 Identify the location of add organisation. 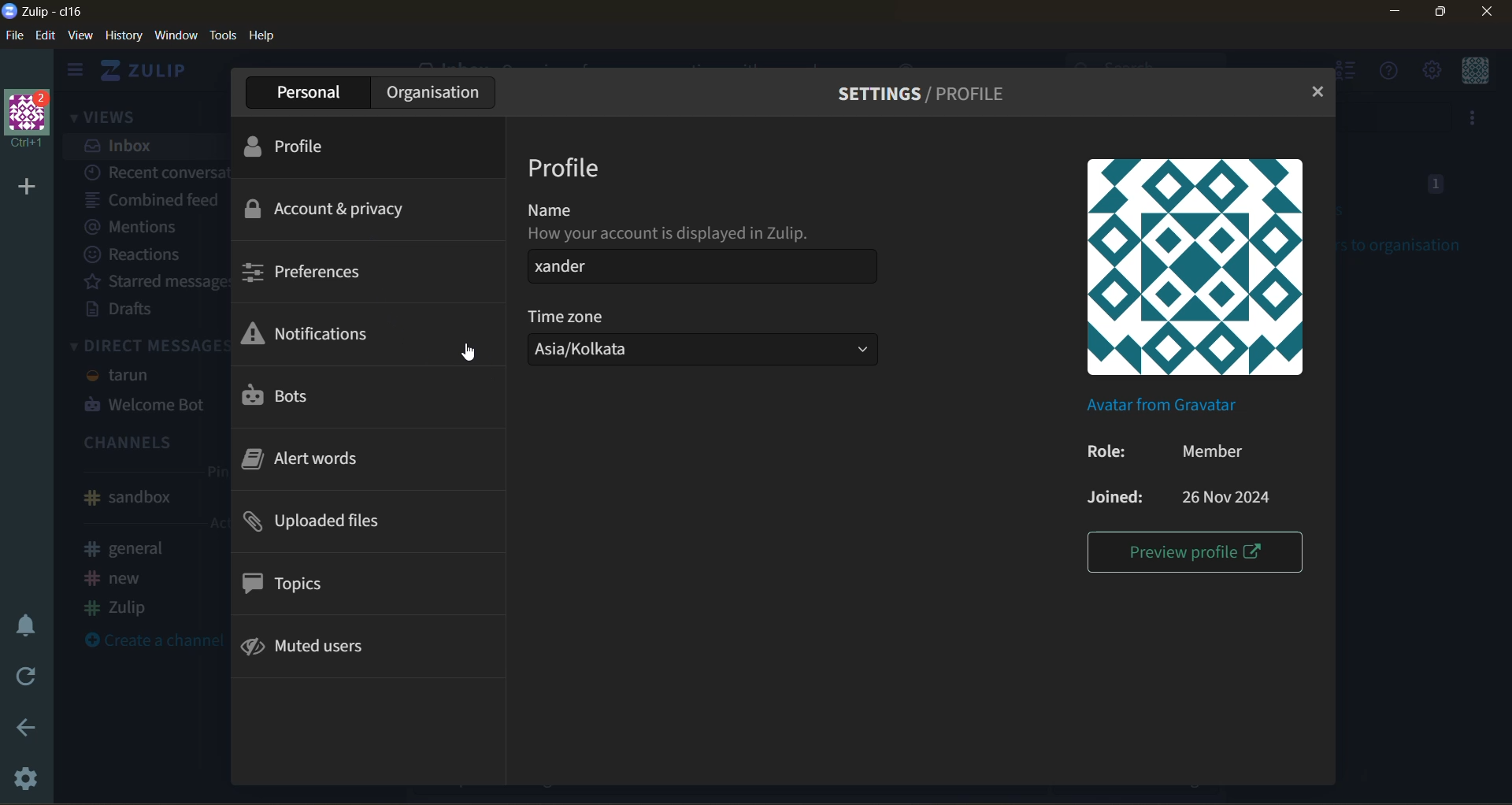
(24, 187).